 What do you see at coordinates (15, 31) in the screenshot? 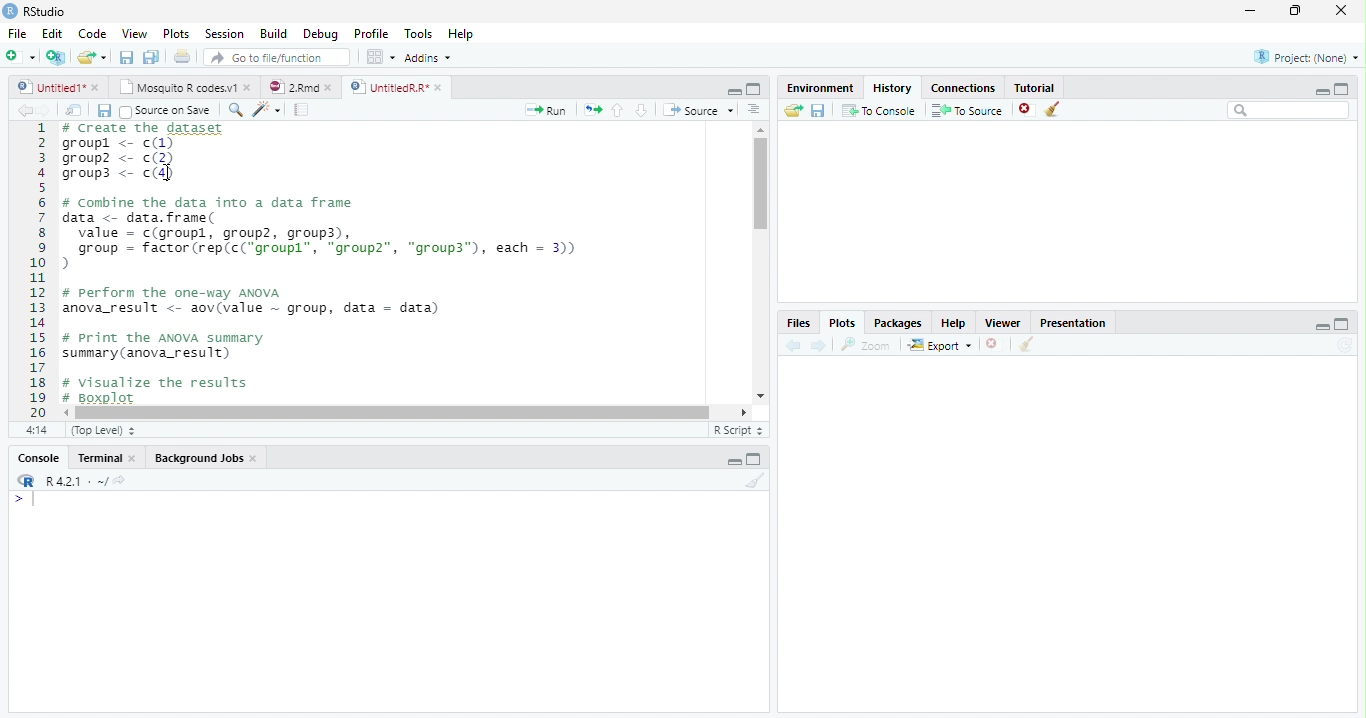
I see `File` at bounding box center [15, 31].